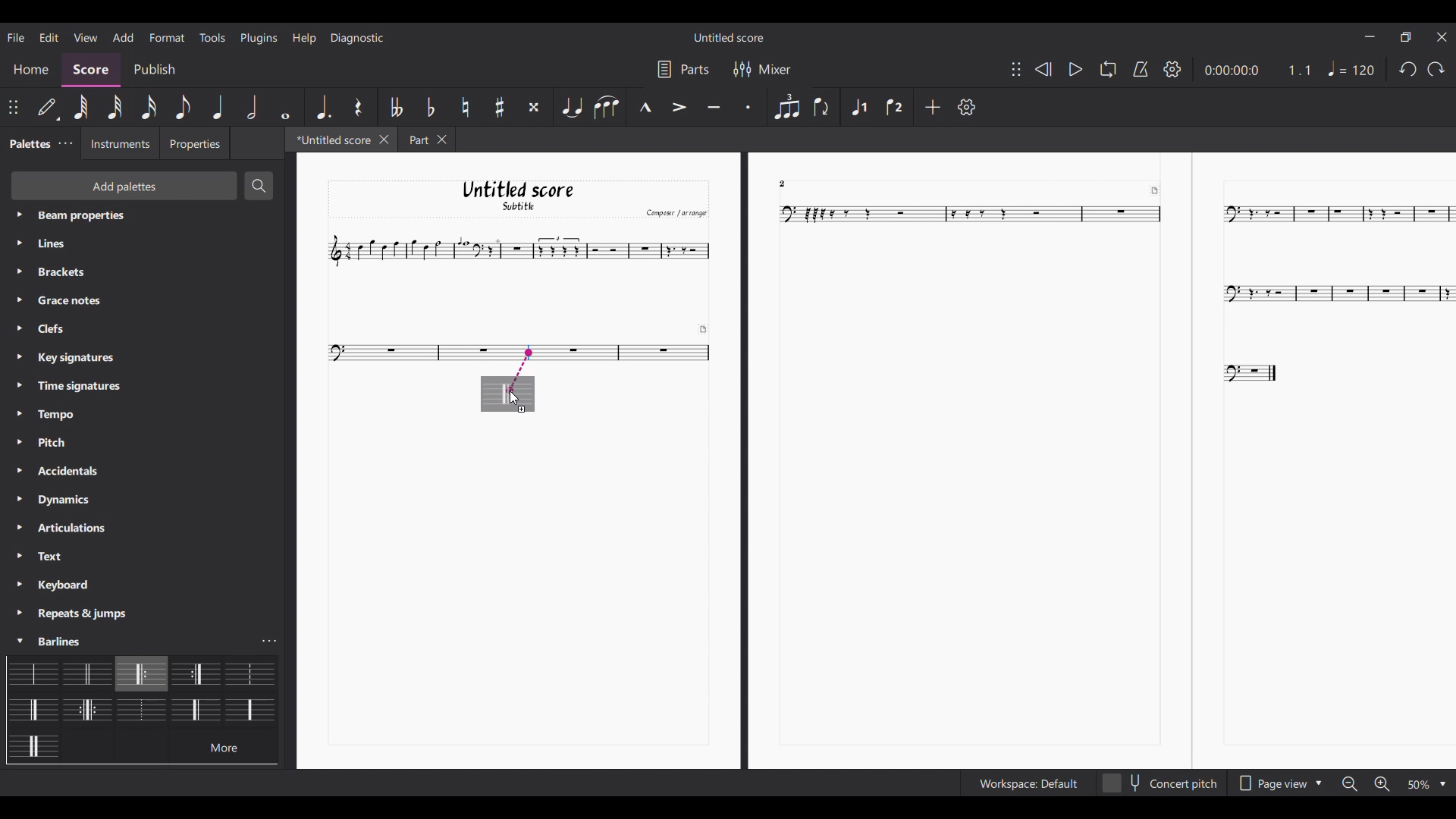 This screenshot has height=819, width=1456. What do you see at coordinates (431, 107) in the screenshot?
I see `Toggle flat` at bounding box center [431, 107].